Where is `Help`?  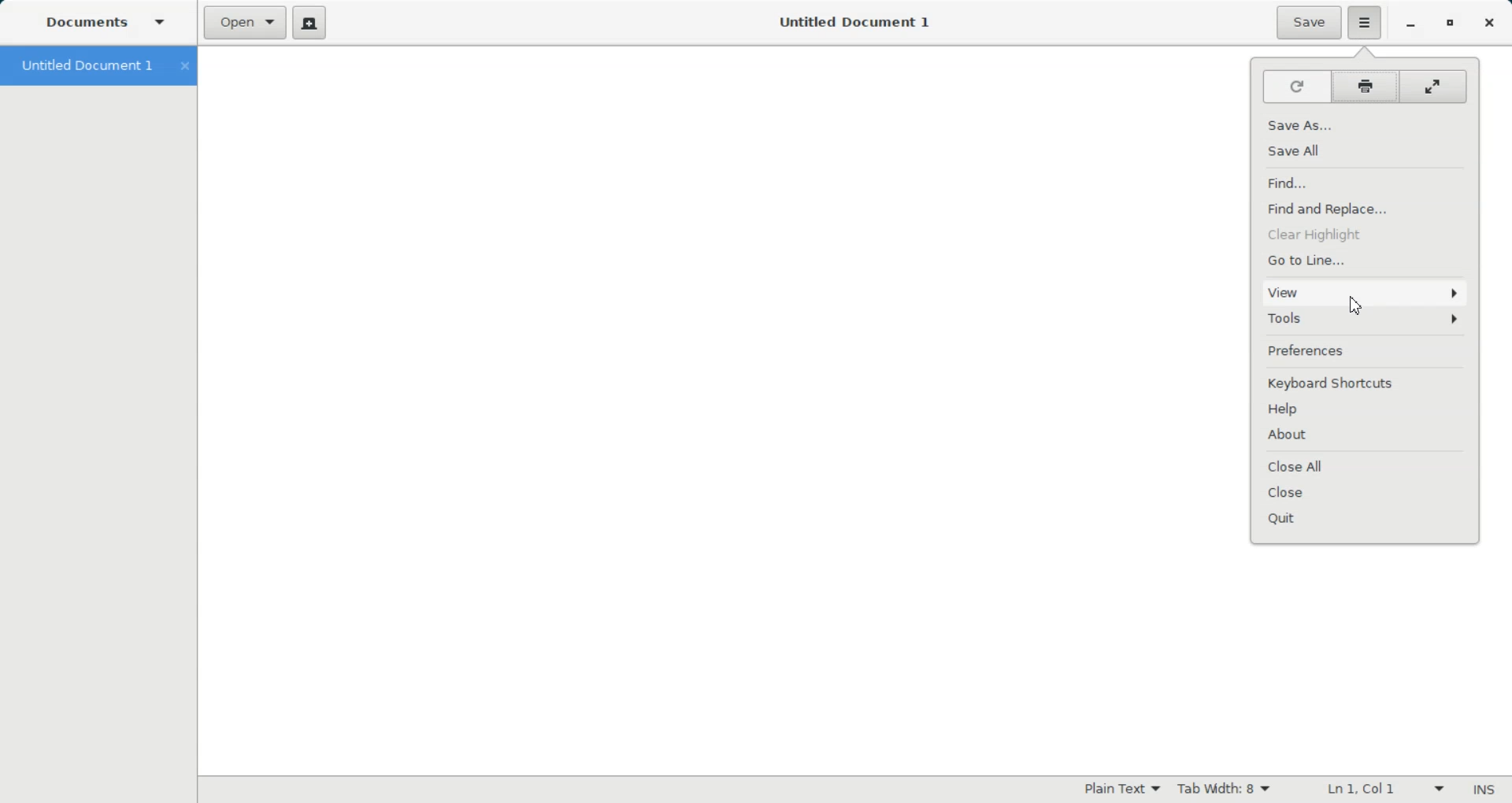 Help is located at coordinates (1364, 409).